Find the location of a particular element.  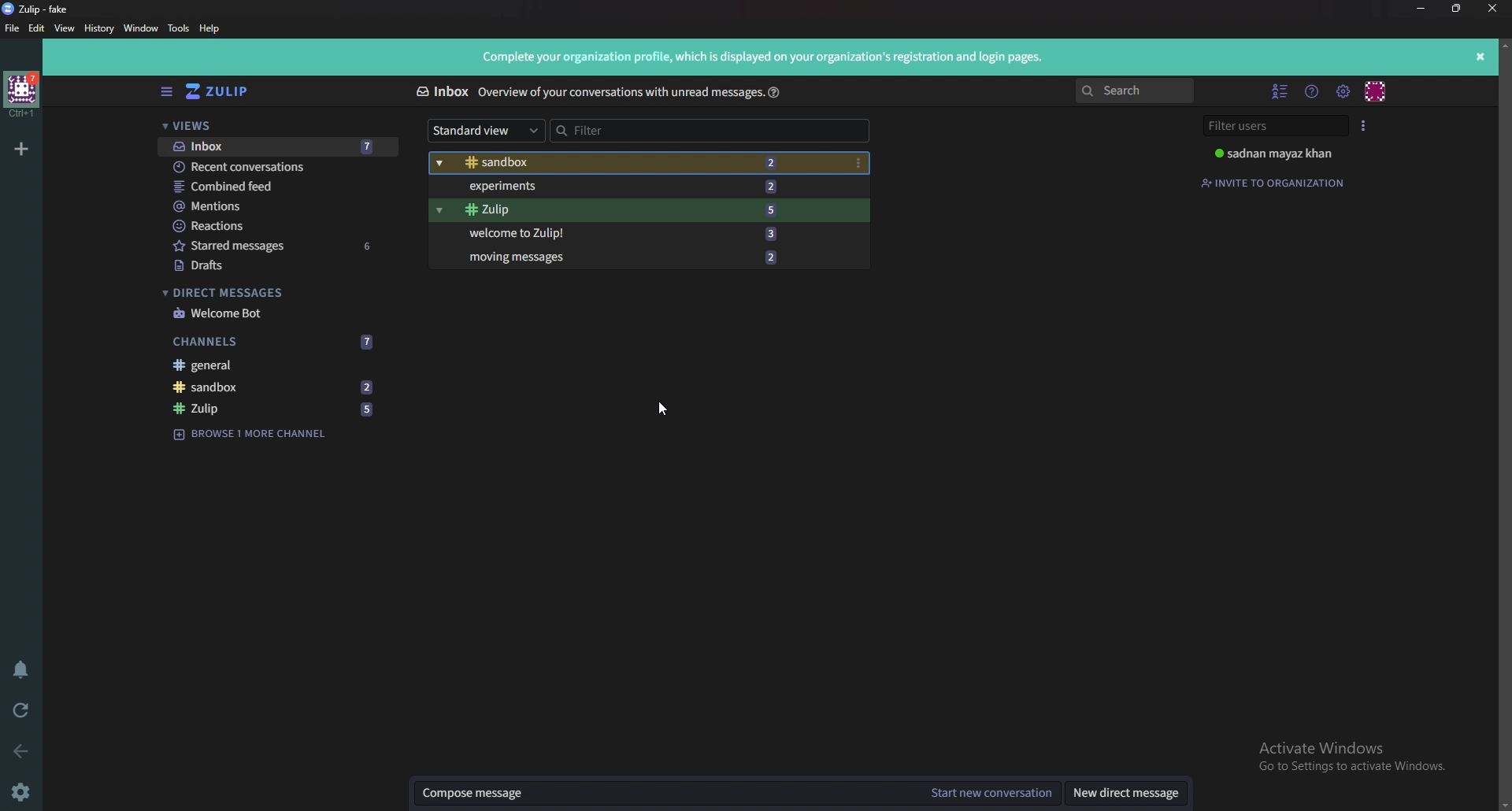

new direct message is located at coordinates (1125, 794).